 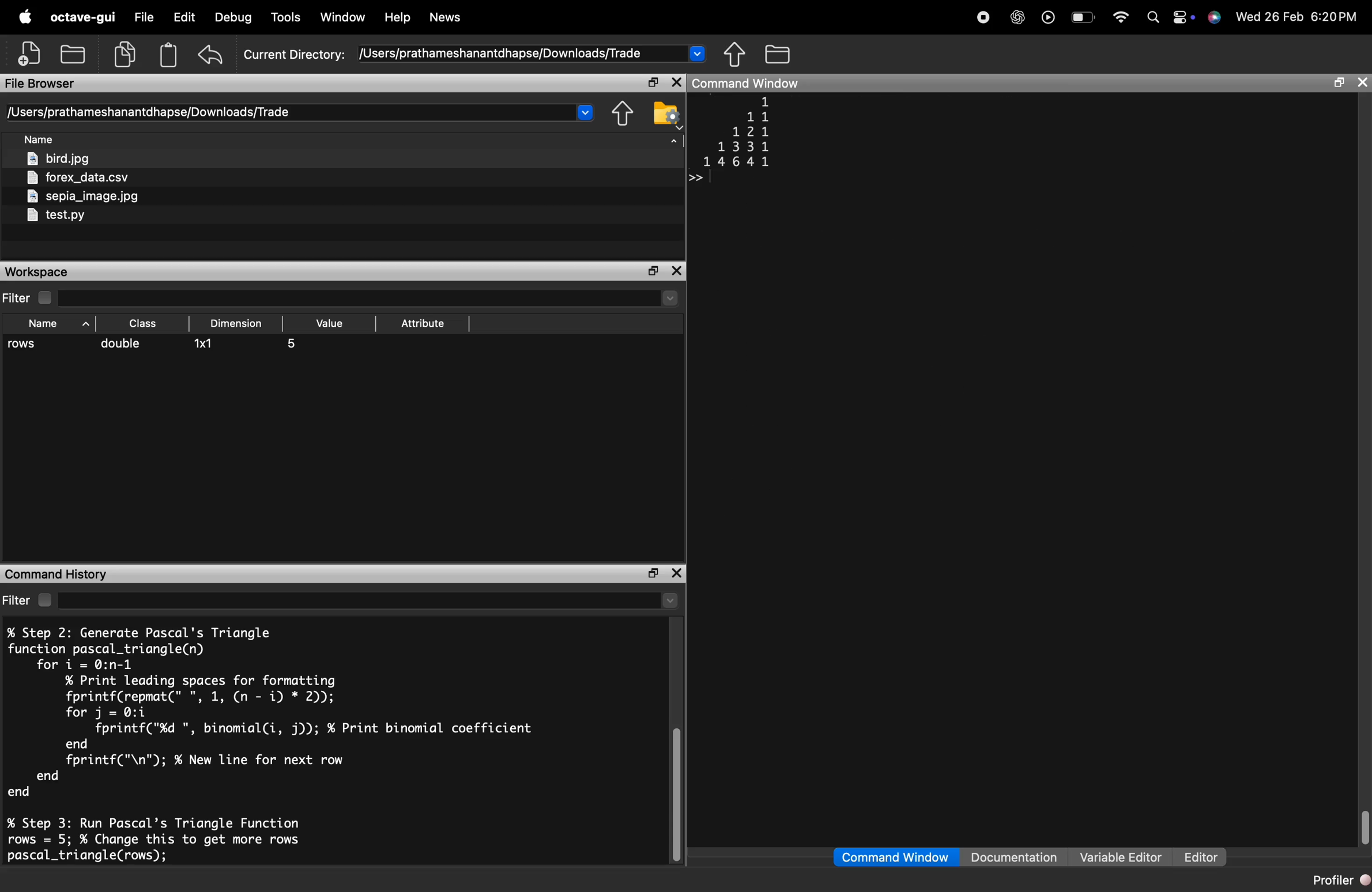 I want to click on undo, so click(x=212, y=55).